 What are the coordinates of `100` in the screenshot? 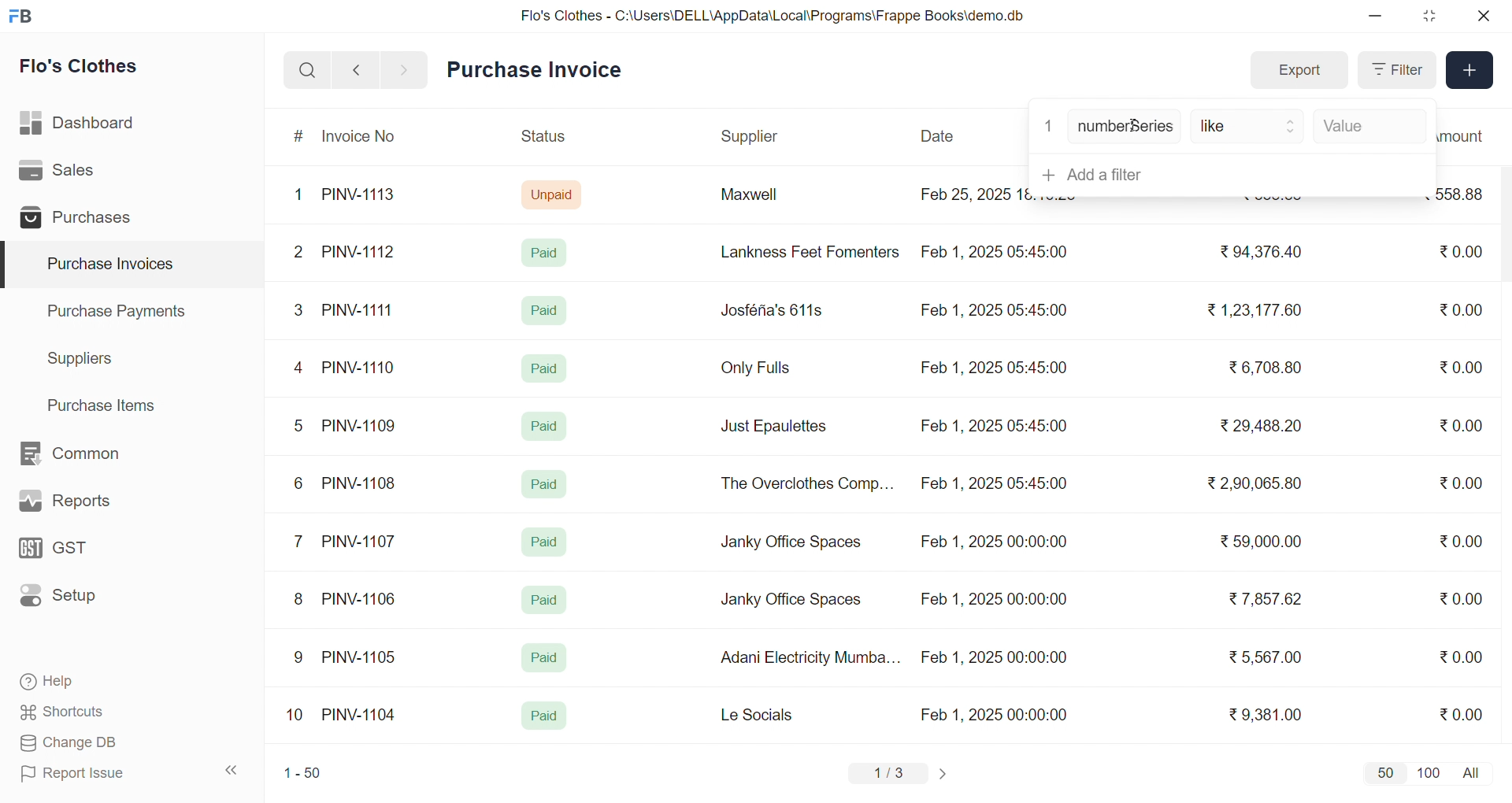 It's located at (1426, 772).